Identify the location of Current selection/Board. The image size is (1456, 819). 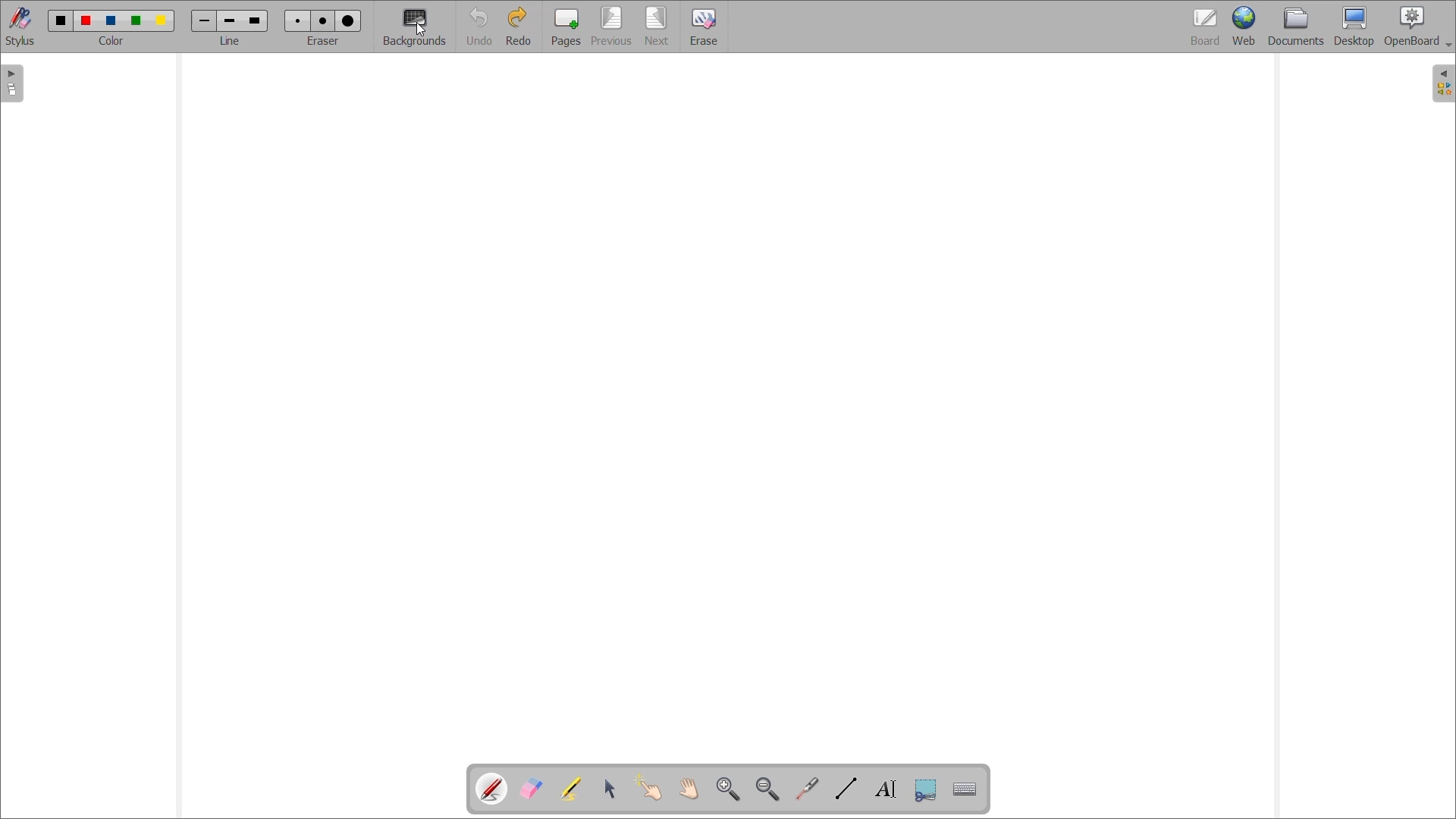
(1206, 26).